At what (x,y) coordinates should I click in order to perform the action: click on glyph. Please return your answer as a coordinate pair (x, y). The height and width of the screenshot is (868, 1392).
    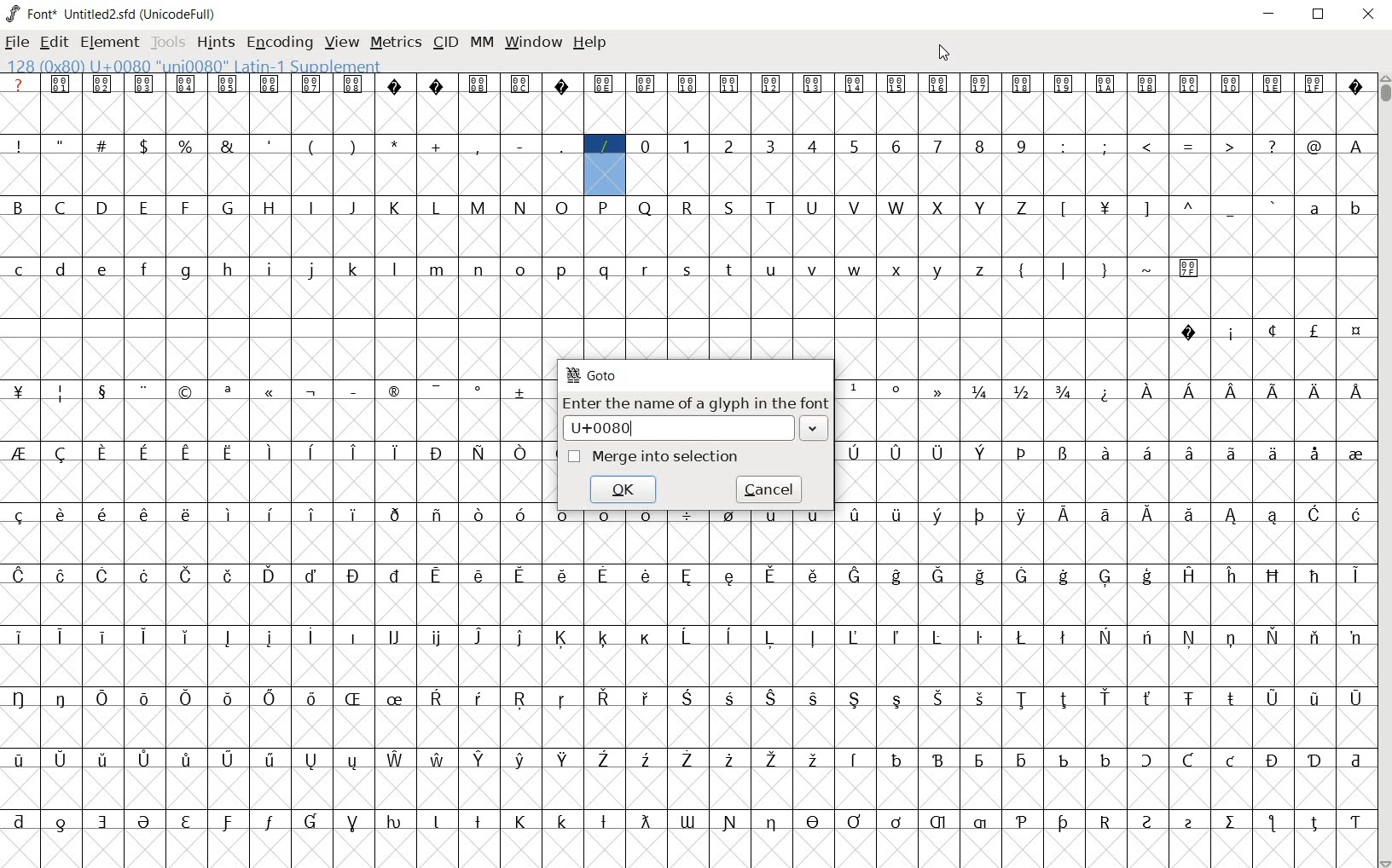
    Looking at the image, I should click on (1232, 335).